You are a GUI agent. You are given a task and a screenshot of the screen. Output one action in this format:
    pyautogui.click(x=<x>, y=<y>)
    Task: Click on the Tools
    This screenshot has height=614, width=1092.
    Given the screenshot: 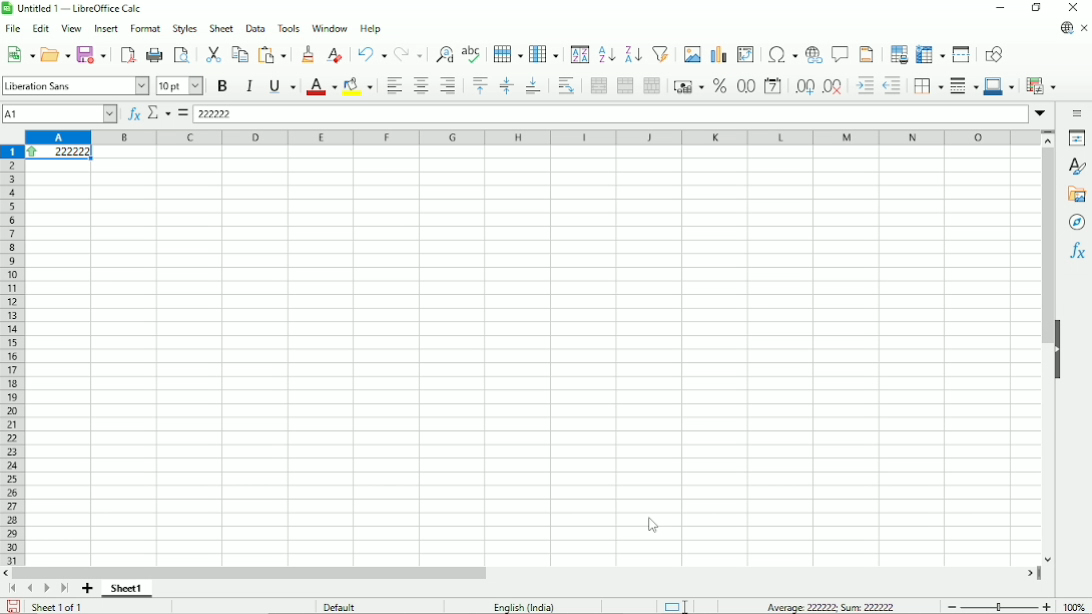 What is the action you would take?
    pyautogui.click(x=287, y=27)
    